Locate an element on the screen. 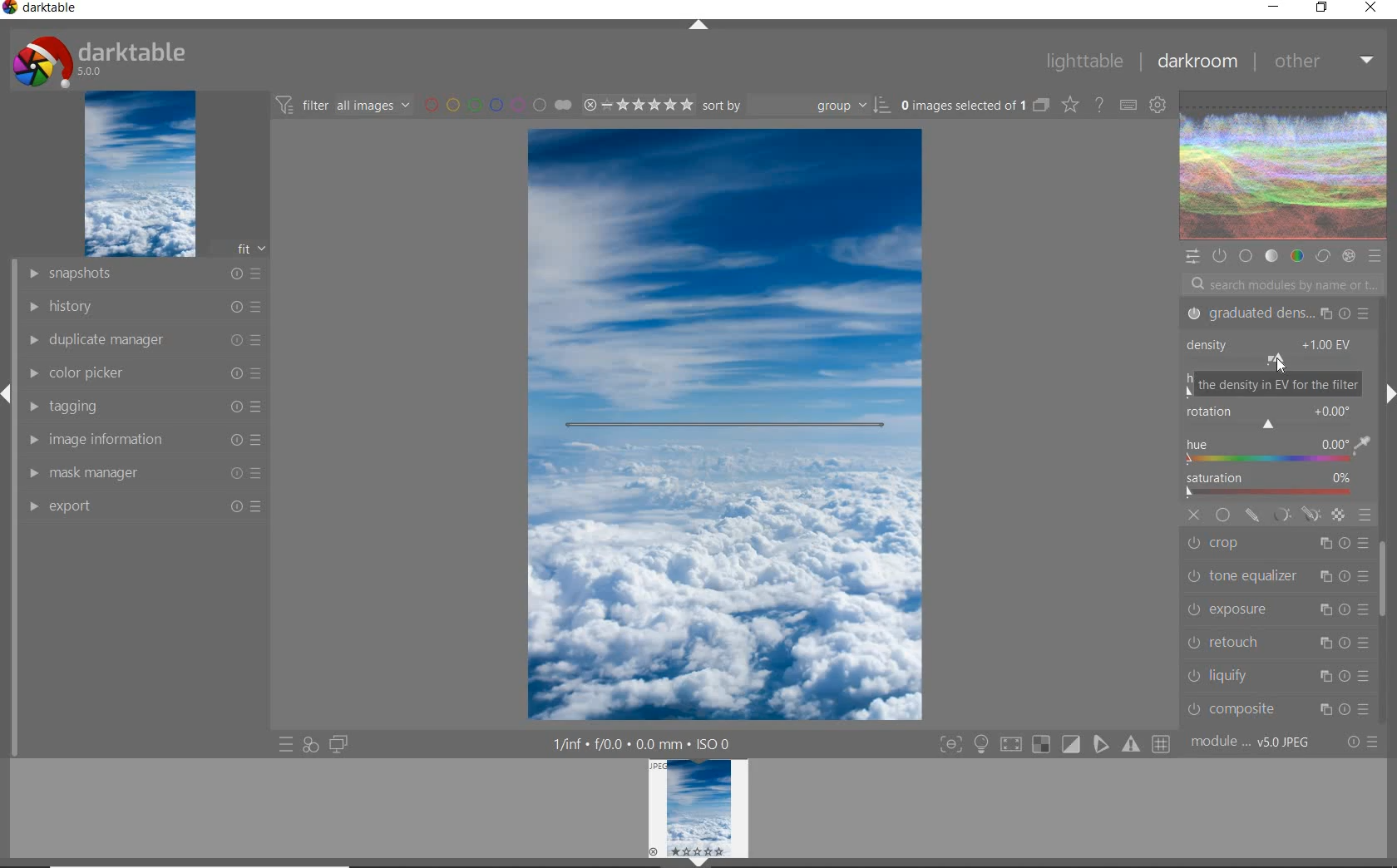  SATURATION is located at coordinates (1276, 486).